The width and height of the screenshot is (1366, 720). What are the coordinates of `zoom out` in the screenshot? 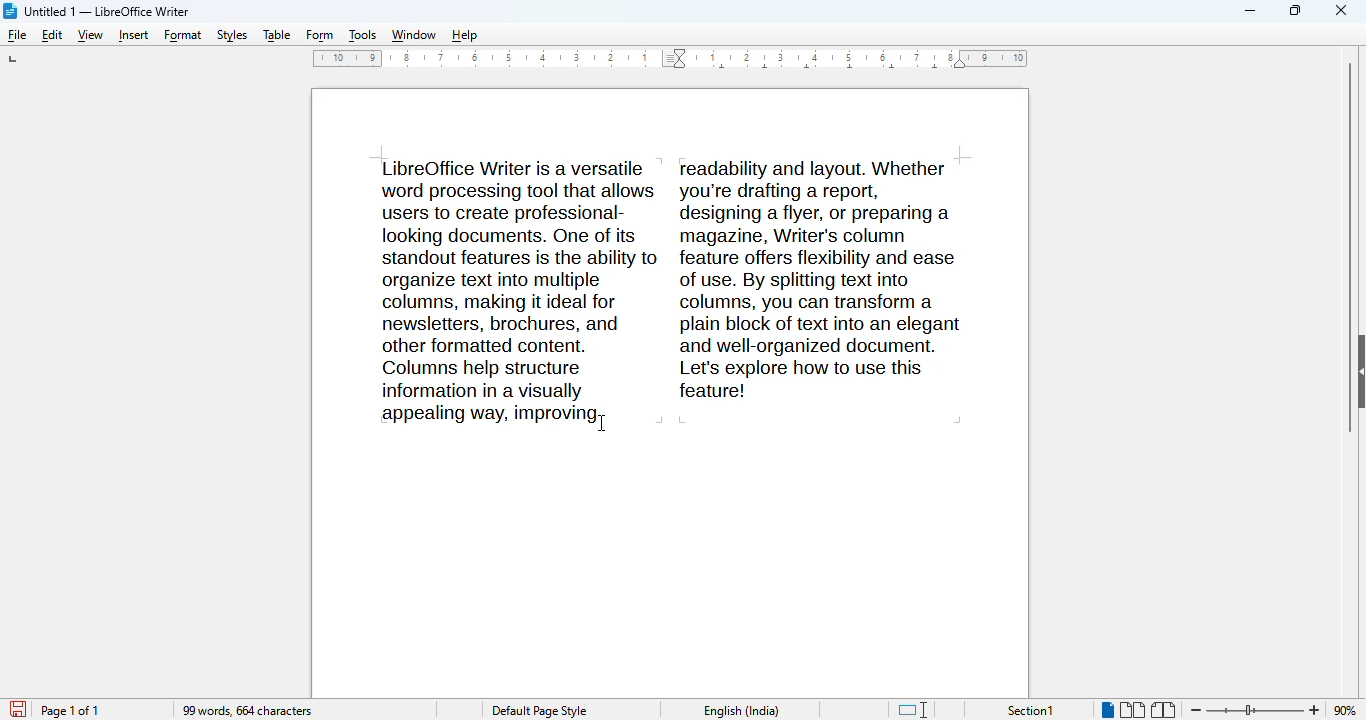 It's located at (1197, 709).